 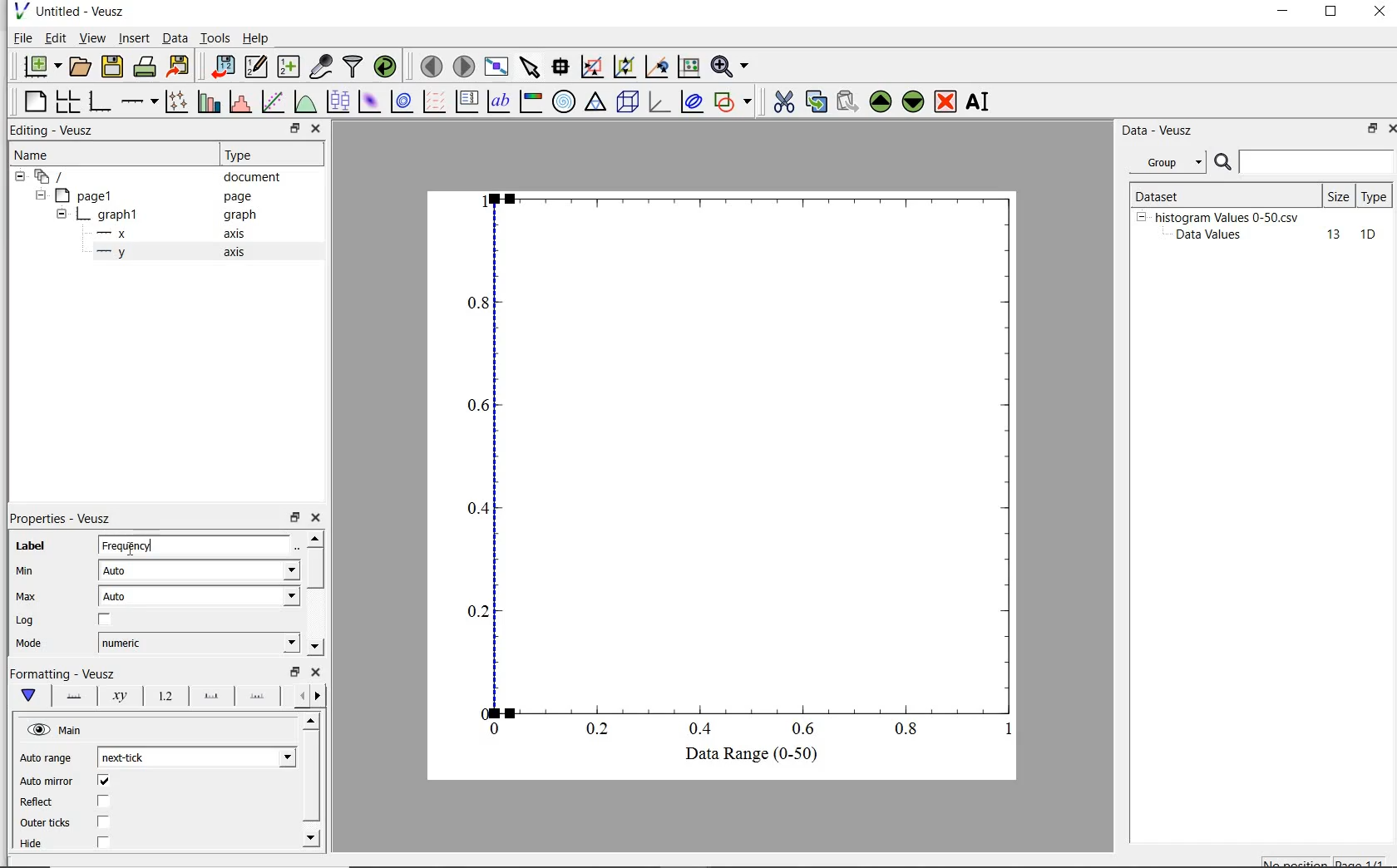 What do you see at coordinates (258, 698) in the screenshot?
I see `minor ticks` at bounding box center [258, 698].